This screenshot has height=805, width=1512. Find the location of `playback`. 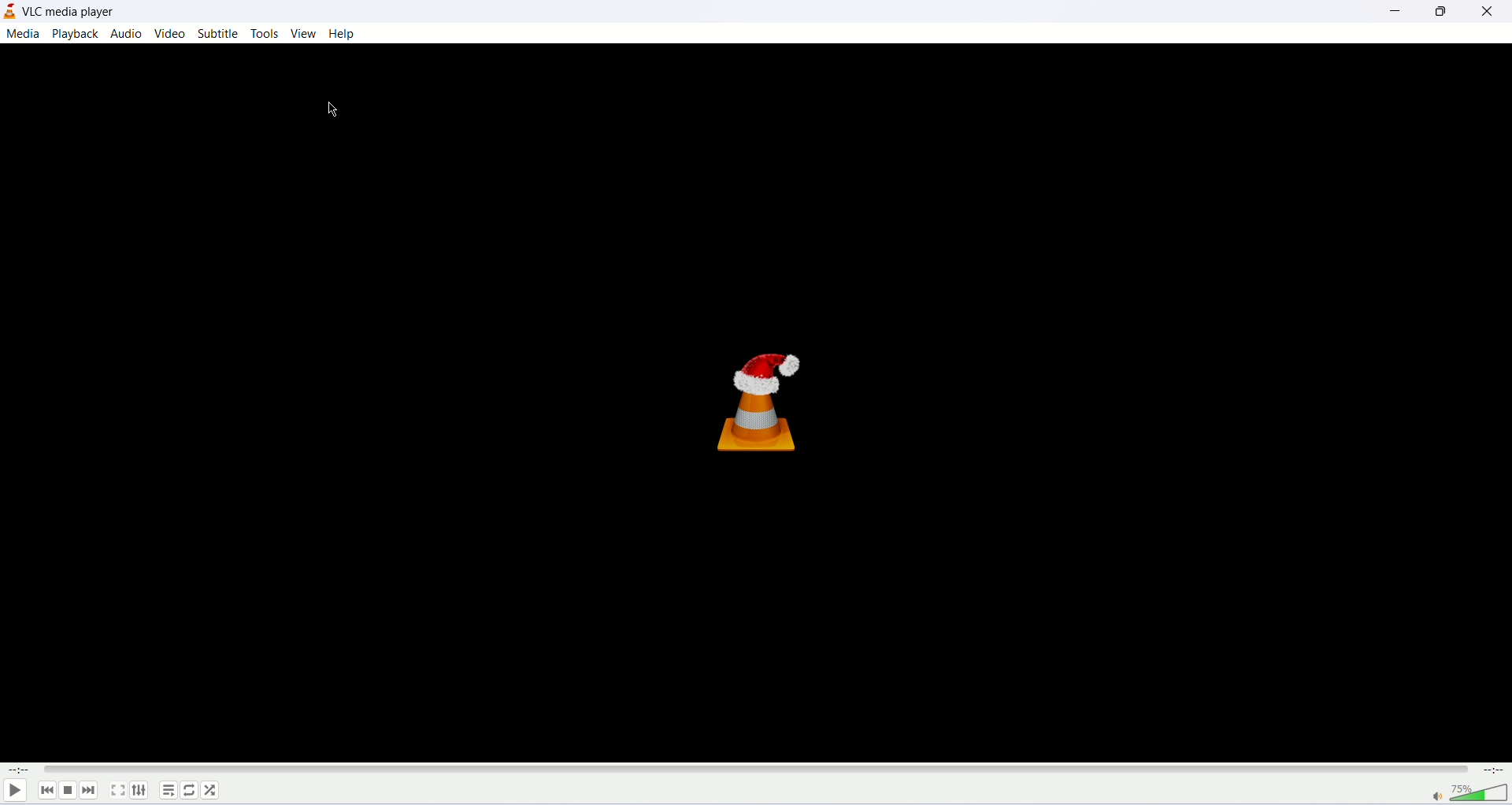

playback is located at coordinates (76, 34).